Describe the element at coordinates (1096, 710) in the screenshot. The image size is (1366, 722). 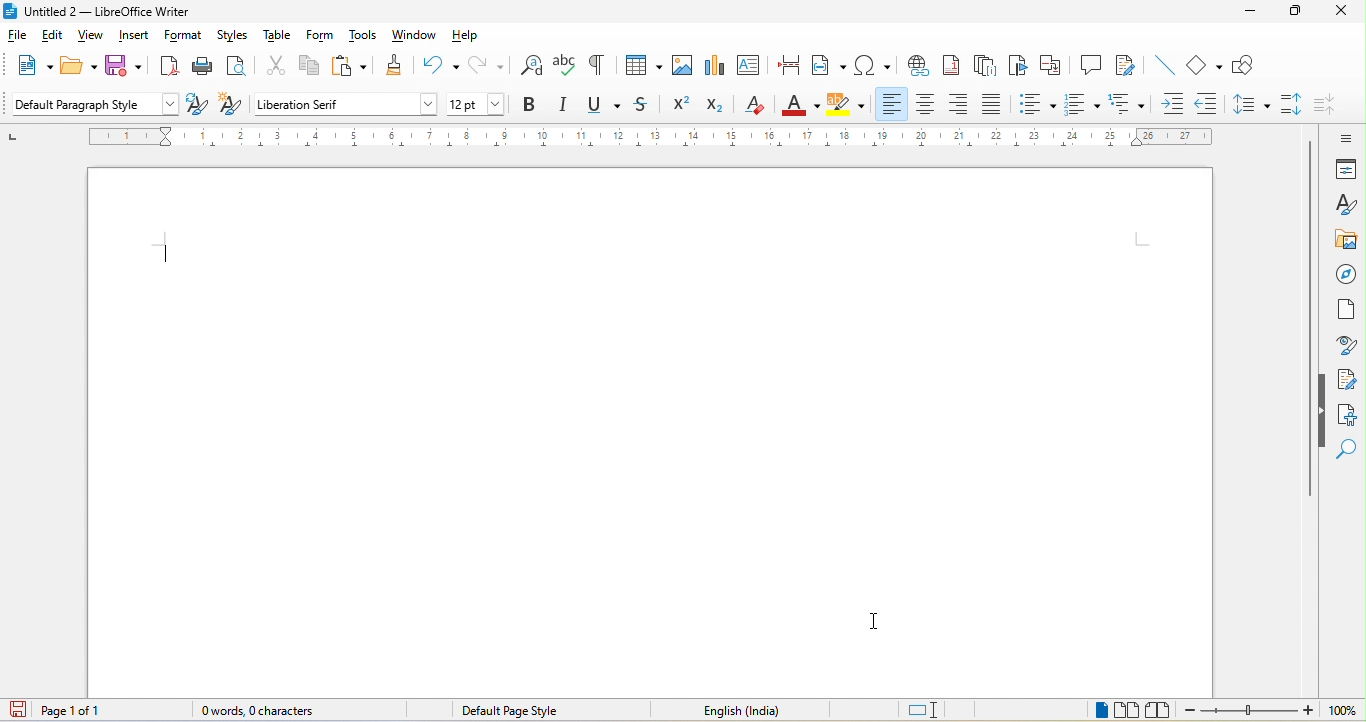
I see `single page view` at that location.